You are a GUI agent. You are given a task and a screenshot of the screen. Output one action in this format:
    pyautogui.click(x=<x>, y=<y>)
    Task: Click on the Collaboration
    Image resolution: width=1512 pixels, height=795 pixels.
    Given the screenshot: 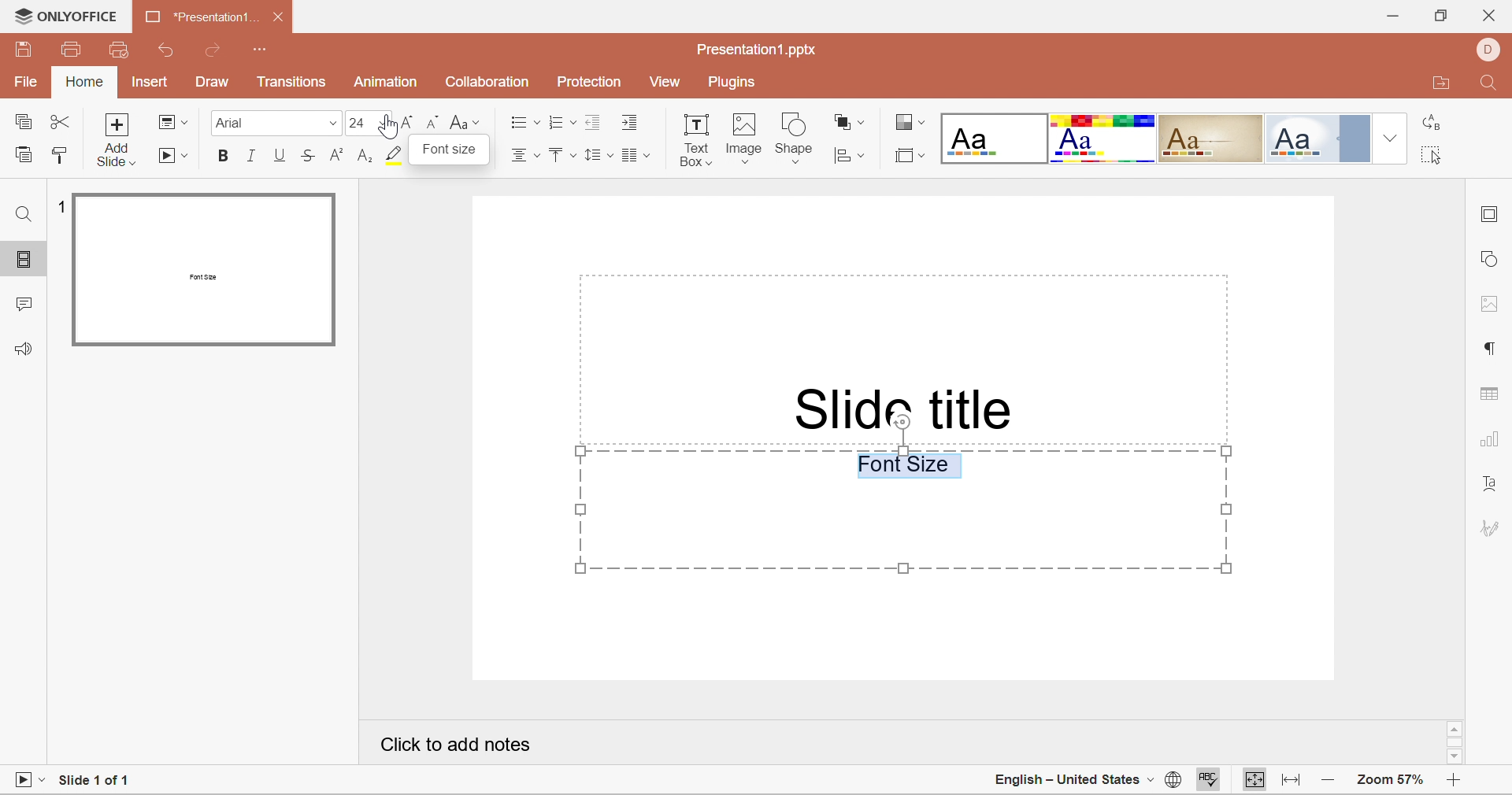 What is the action you would take?
    pyautogui.click(x=485, y=83)
    